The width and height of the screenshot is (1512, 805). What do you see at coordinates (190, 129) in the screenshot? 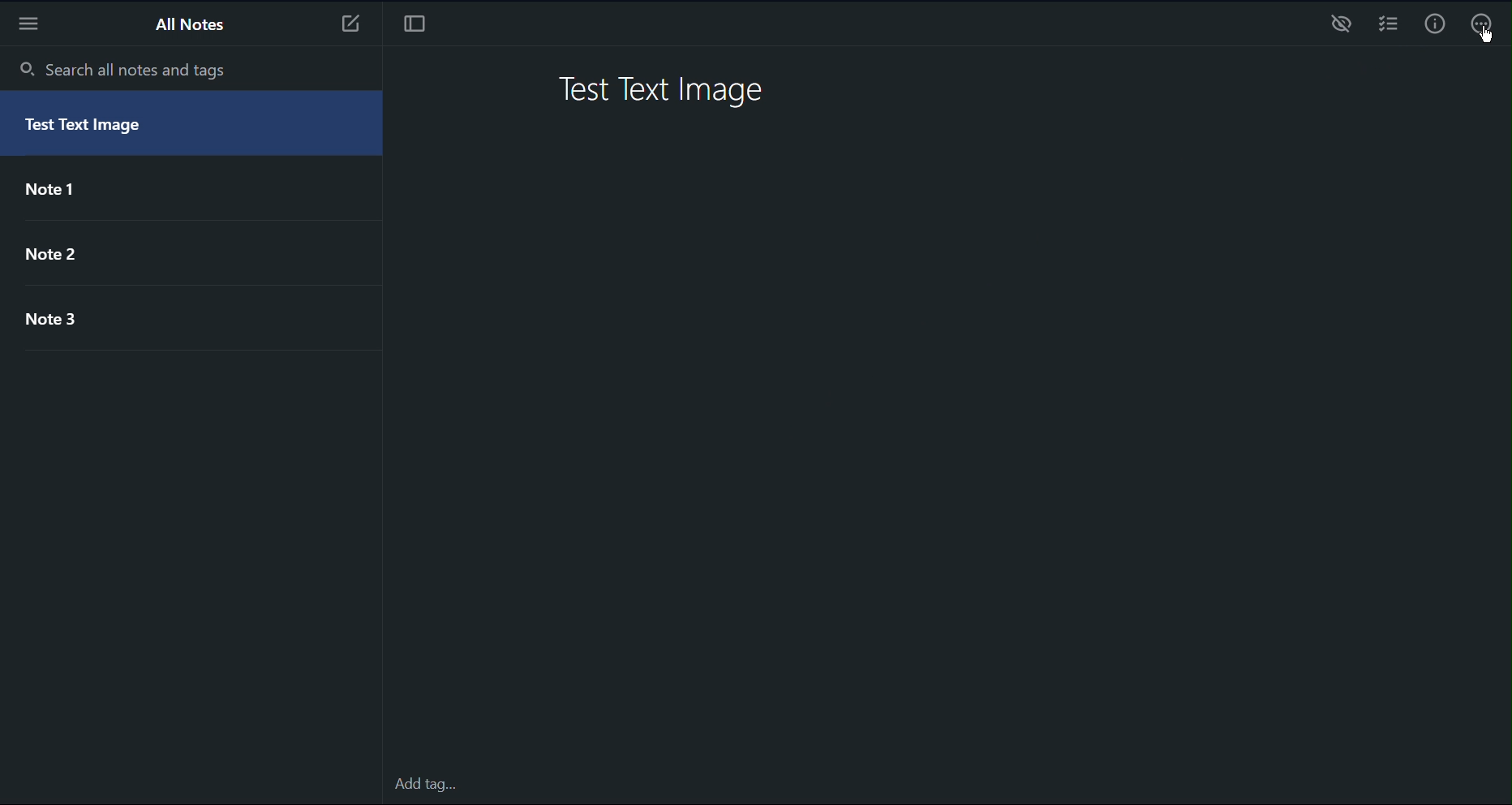
I see `Test Text Image` at bounding box center [190, 129].